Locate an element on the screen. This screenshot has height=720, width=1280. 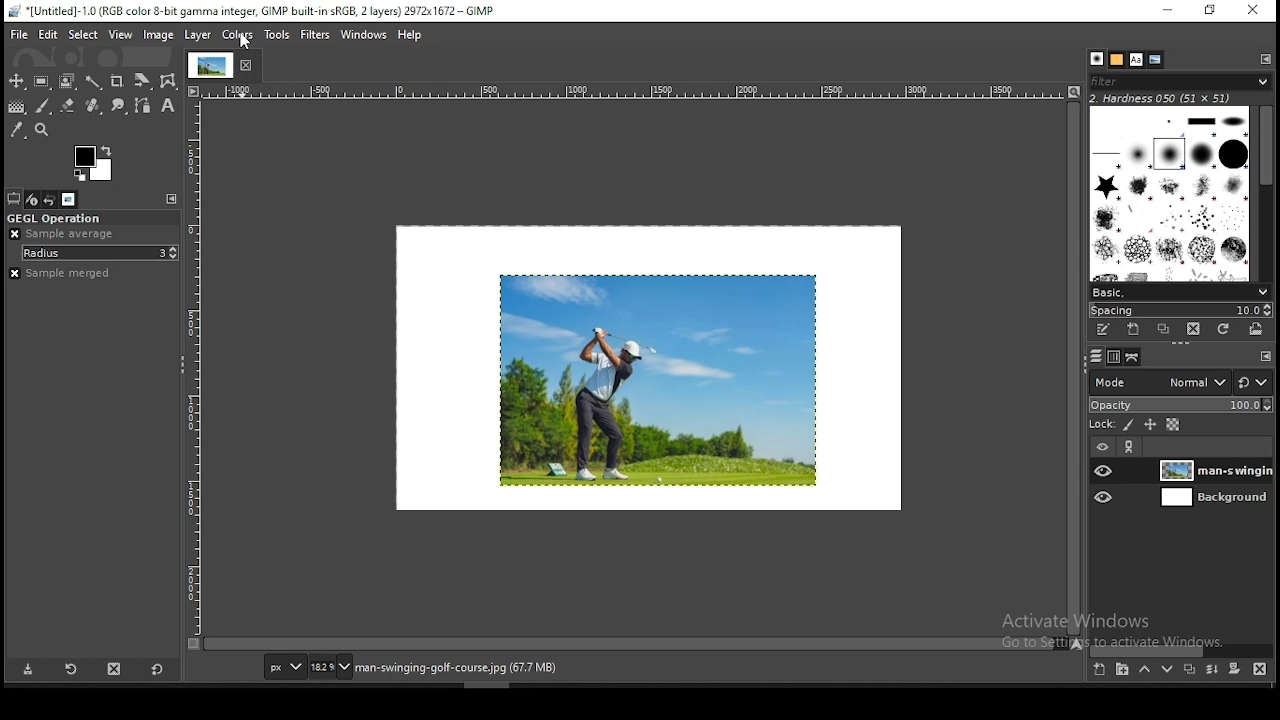
patterns is located at coordinates (1117, 61).